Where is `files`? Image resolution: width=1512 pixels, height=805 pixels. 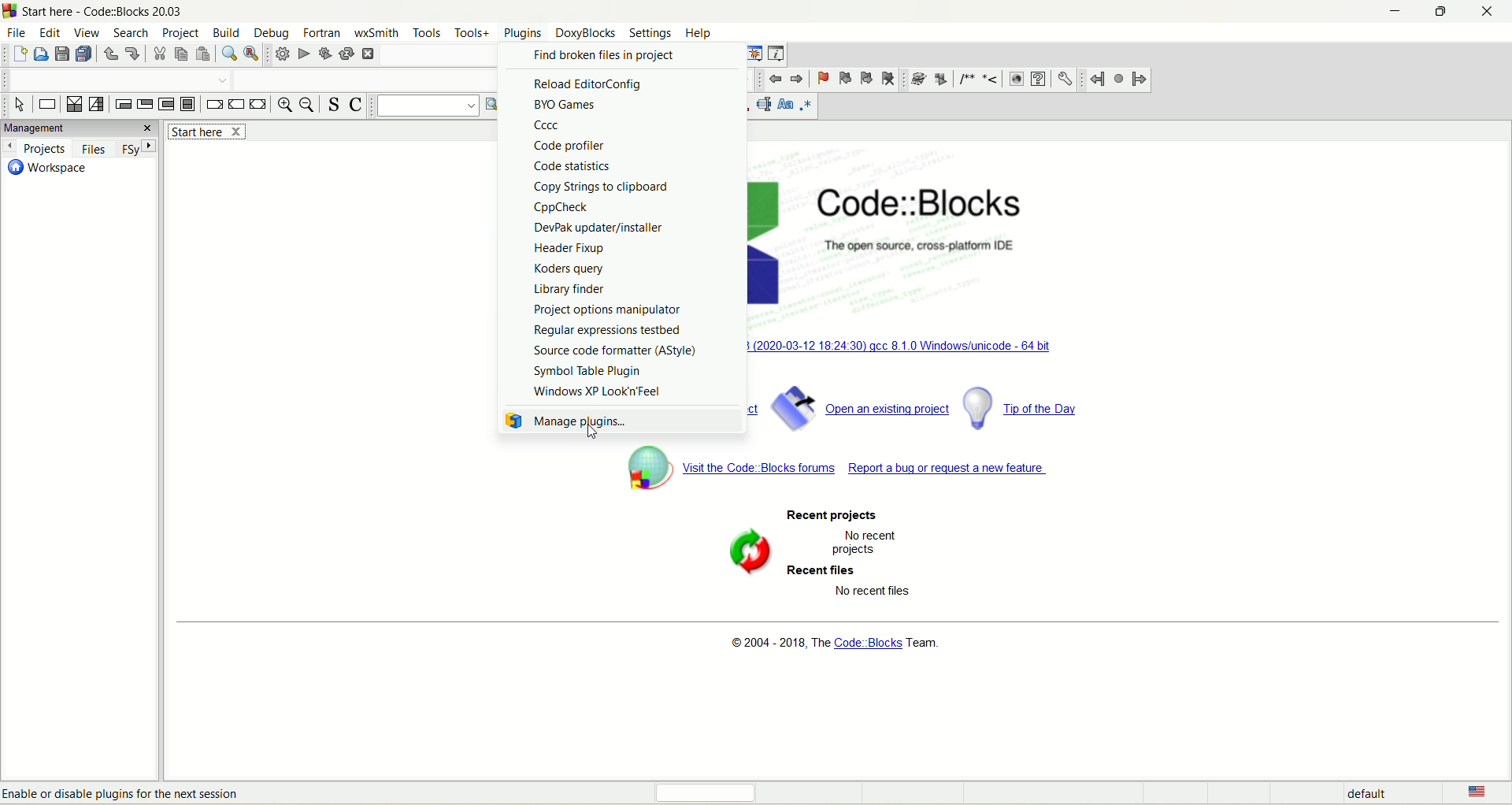
files is located at coordinates (91, 148).